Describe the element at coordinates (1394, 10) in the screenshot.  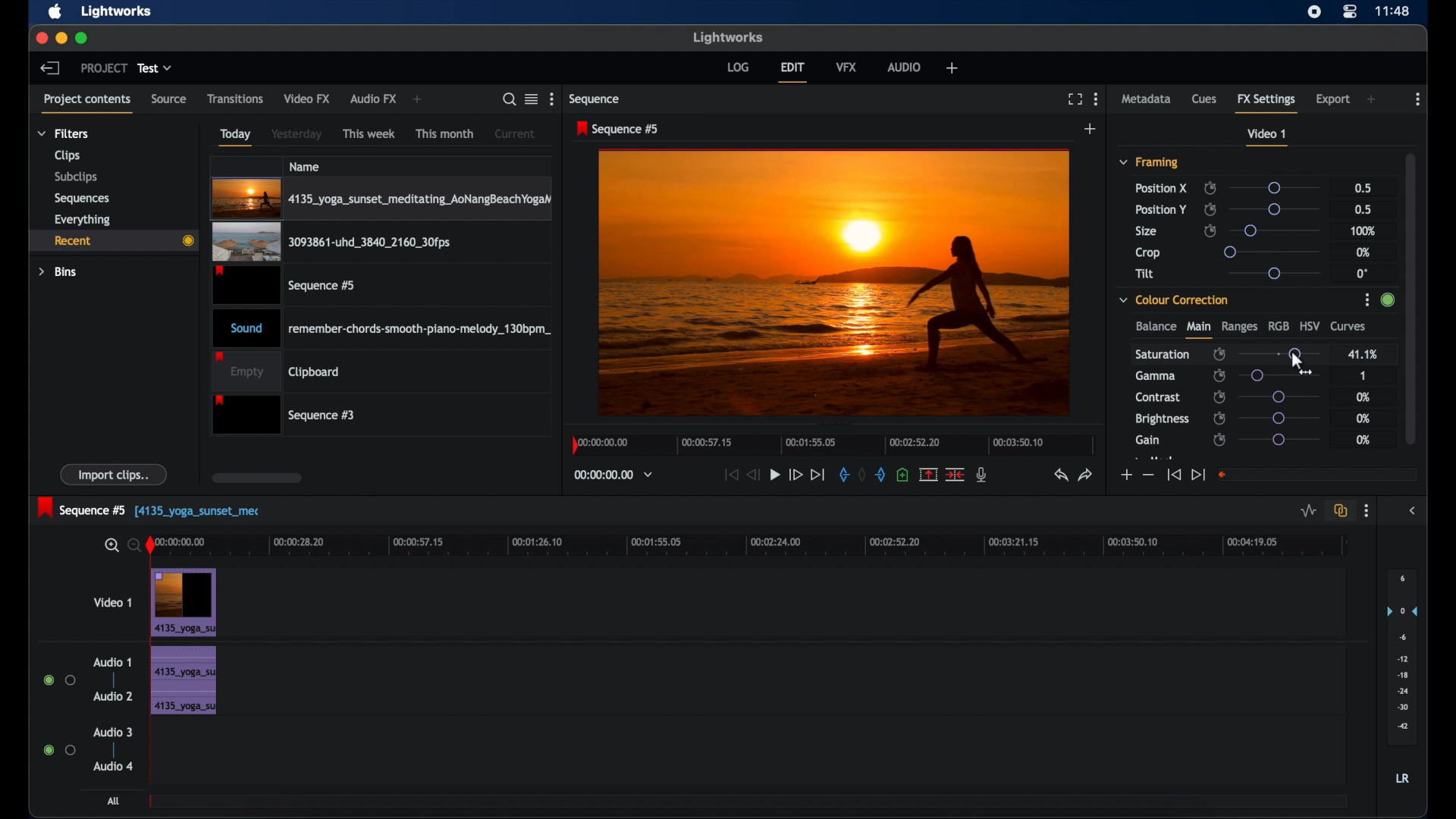
I see `time` at that location.